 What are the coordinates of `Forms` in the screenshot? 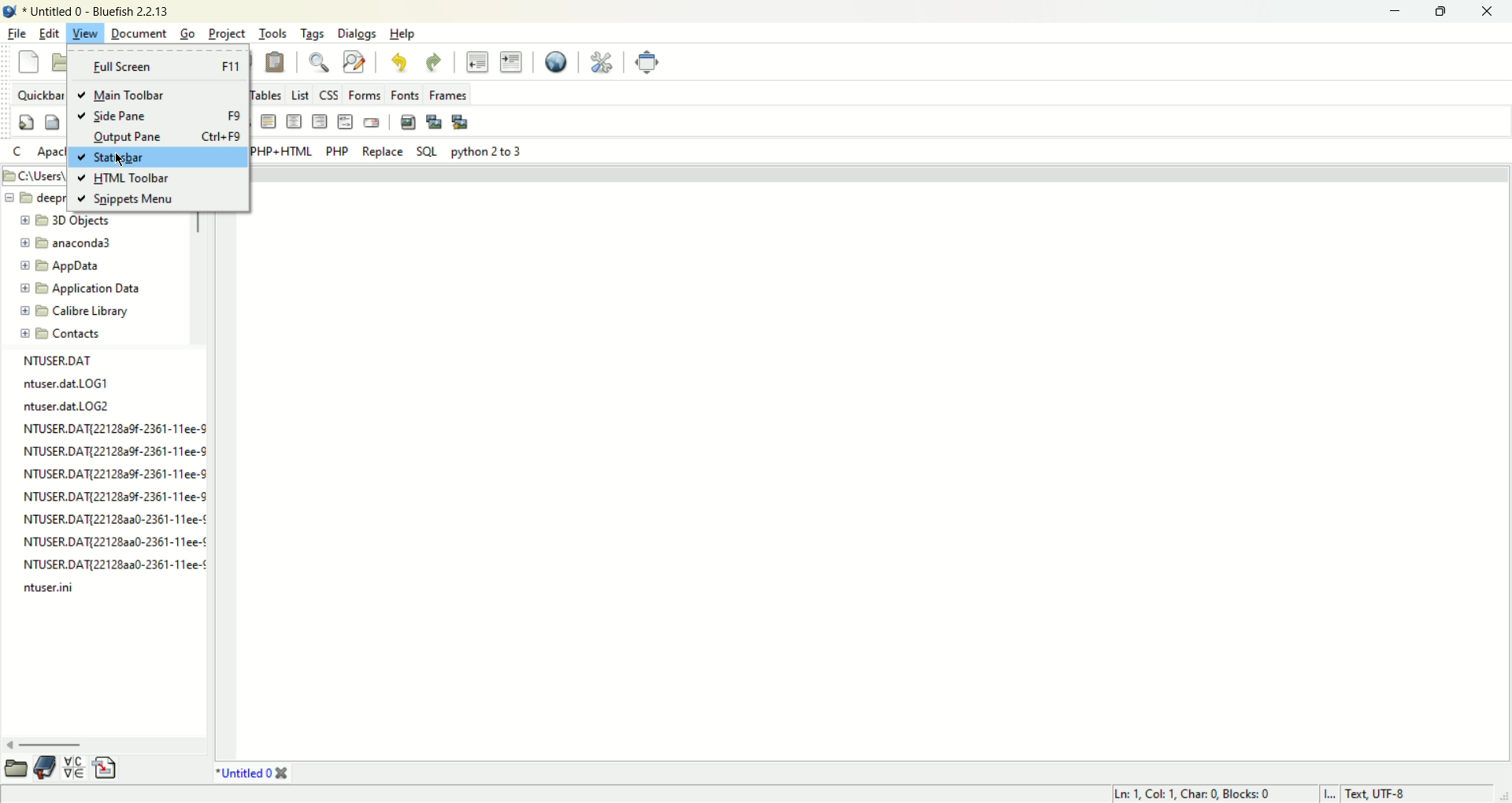 It's located at (362, 95).